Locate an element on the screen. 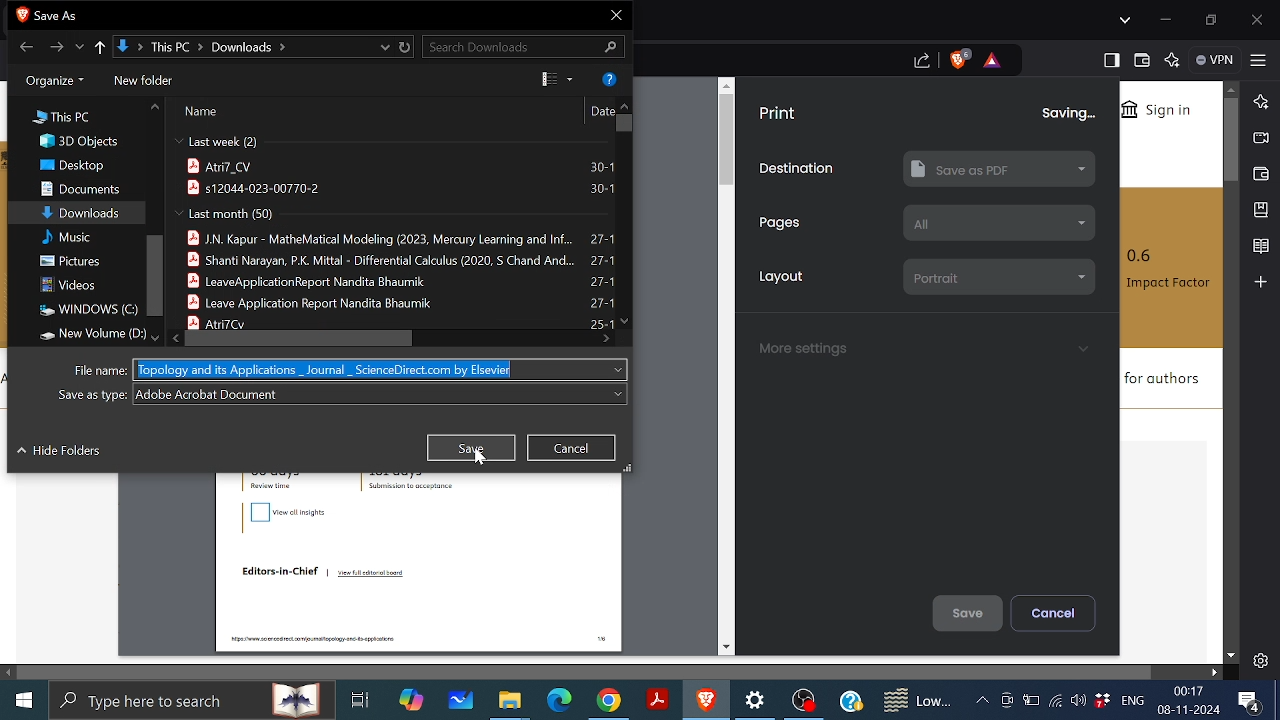 This screenshot has width=1280, height=720. Reload is located at coordinates (406, 49).